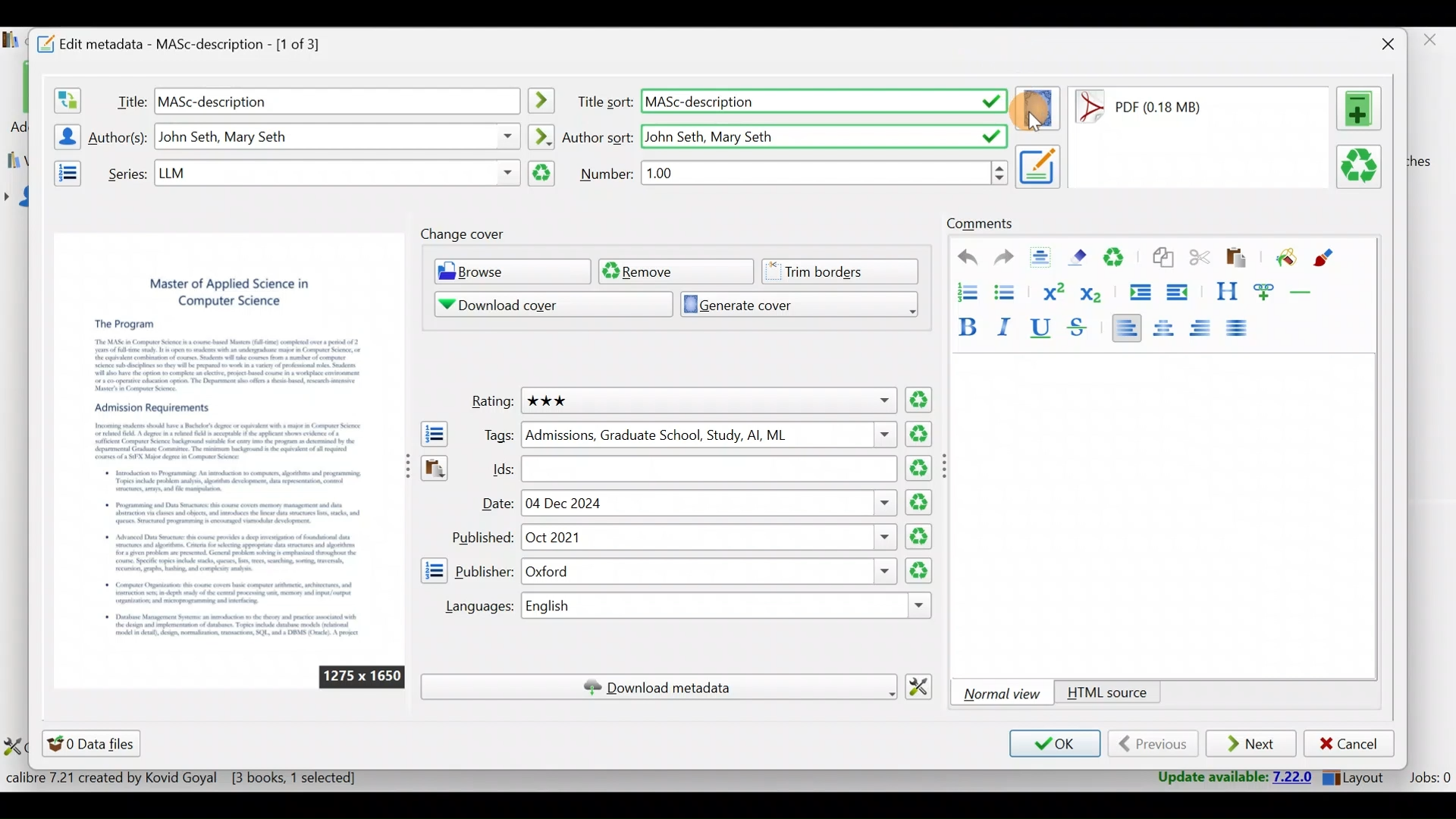 This screenshot has width=1456, height=819. What do you see at coordinates (336, 173) in the screenshot?
I see `` at bounding box center [336, 173].